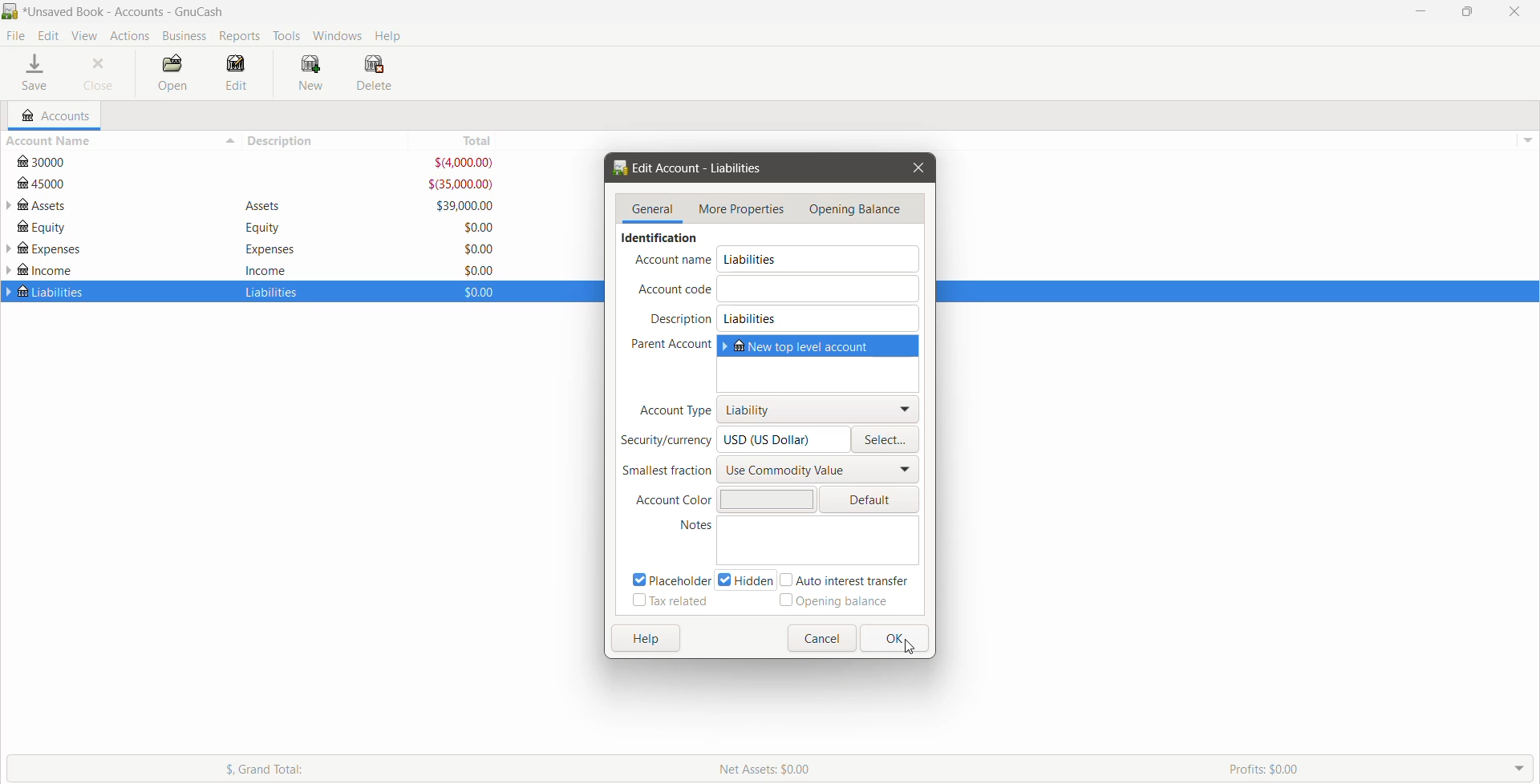 The height and width of the screenshot is (784, 1540). Describe the element at coordinates (464, 140) in the screenshot. I see `Total` at that location.